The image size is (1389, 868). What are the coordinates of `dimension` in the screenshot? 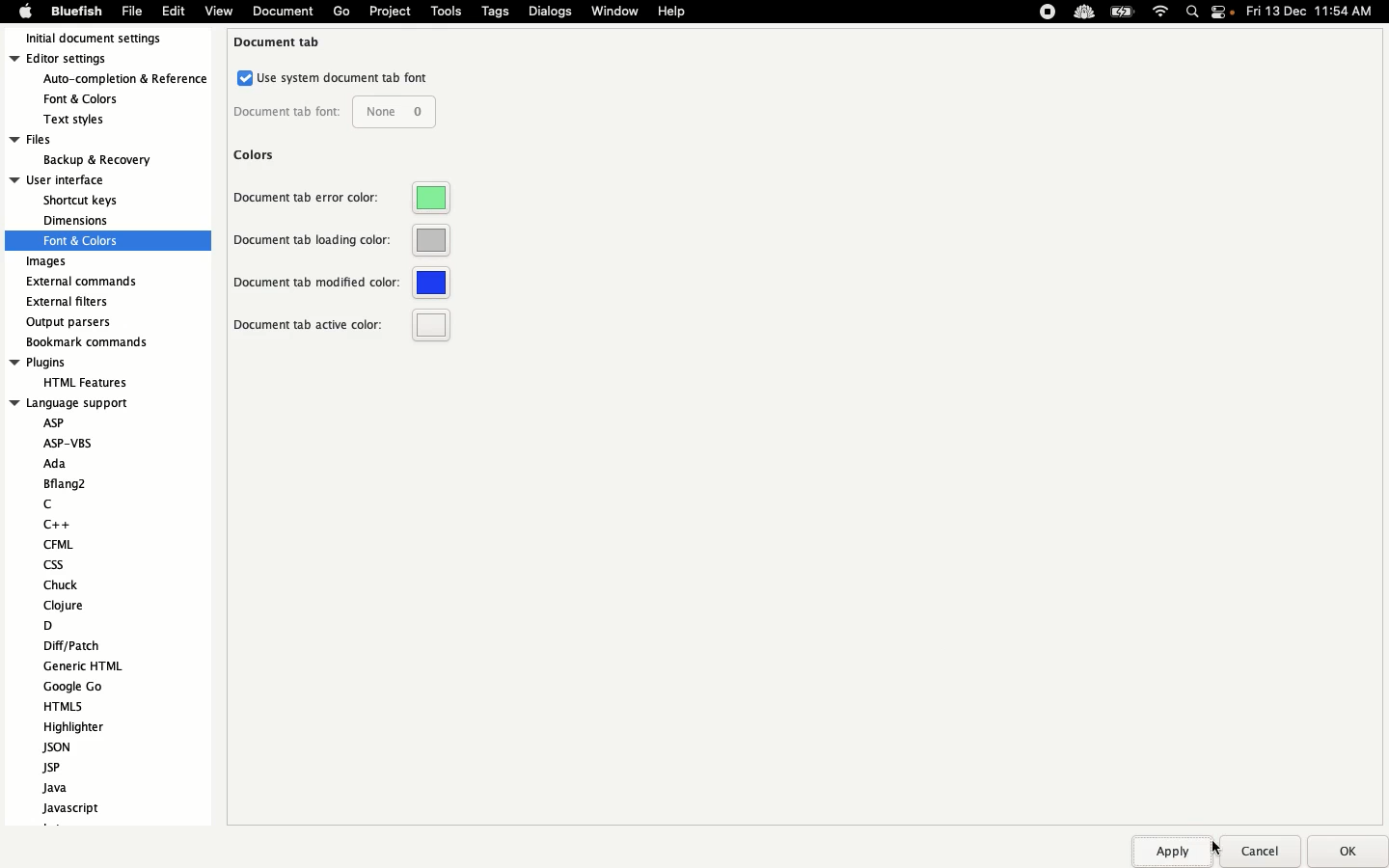 It's located at (75, 220).